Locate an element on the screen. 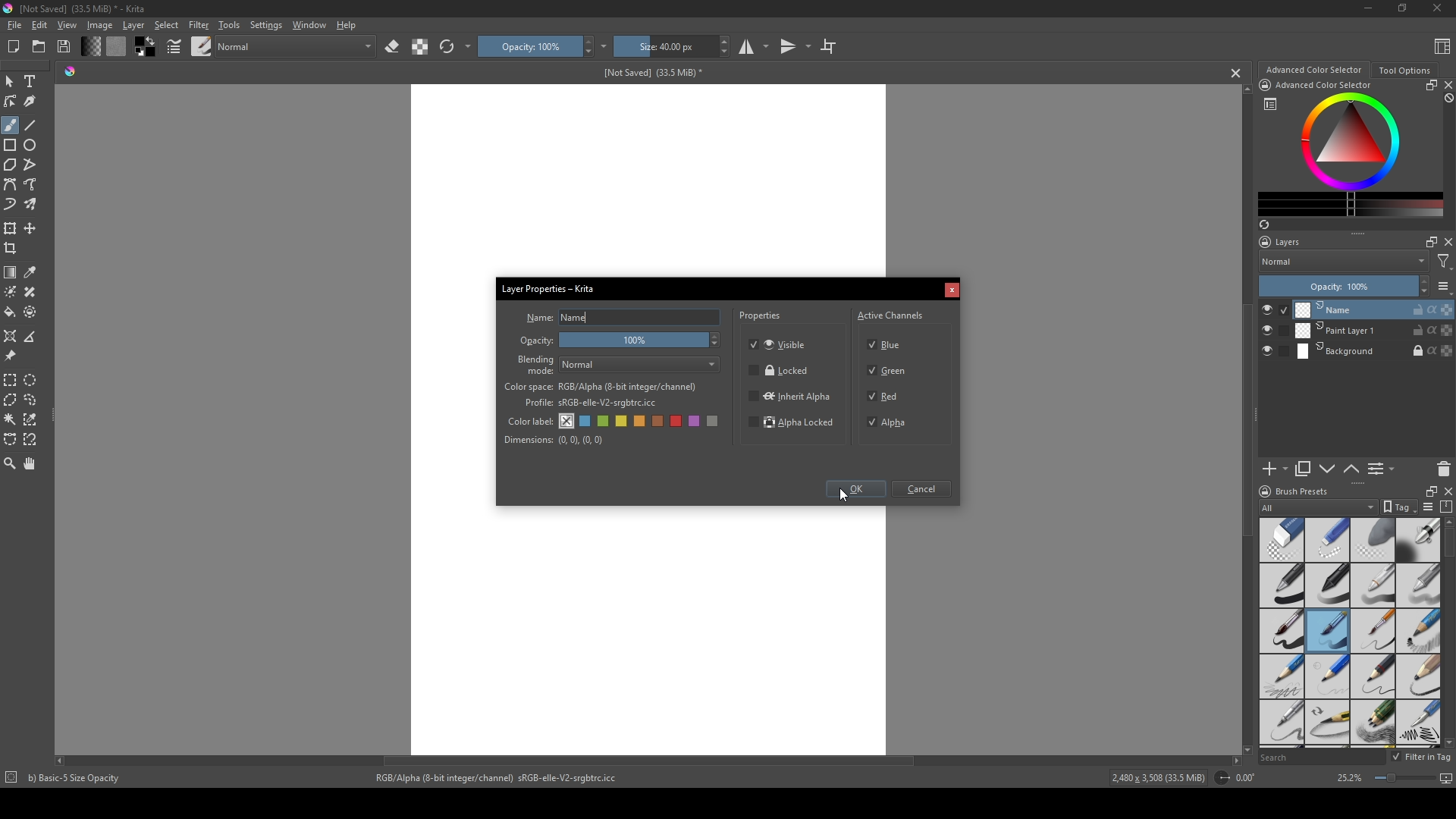  Advanced Color Selector is located at coordinates (1324, 86).